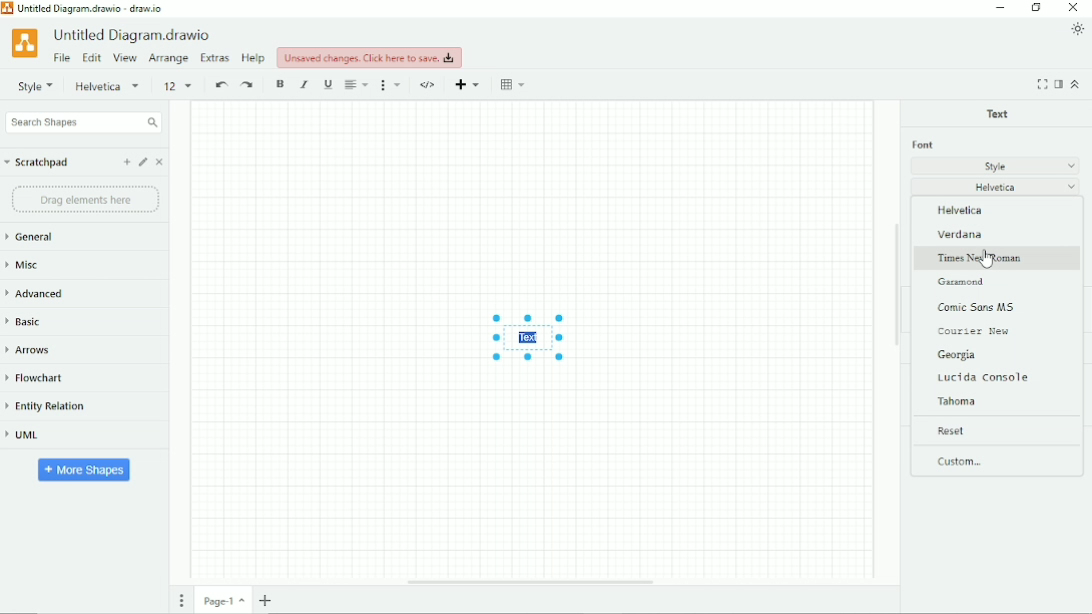 The height and width of the screenshot is (614, 1092). Describe the element at coordinates (110, 86) in the screenshot. I see `Helvetica` at that location.